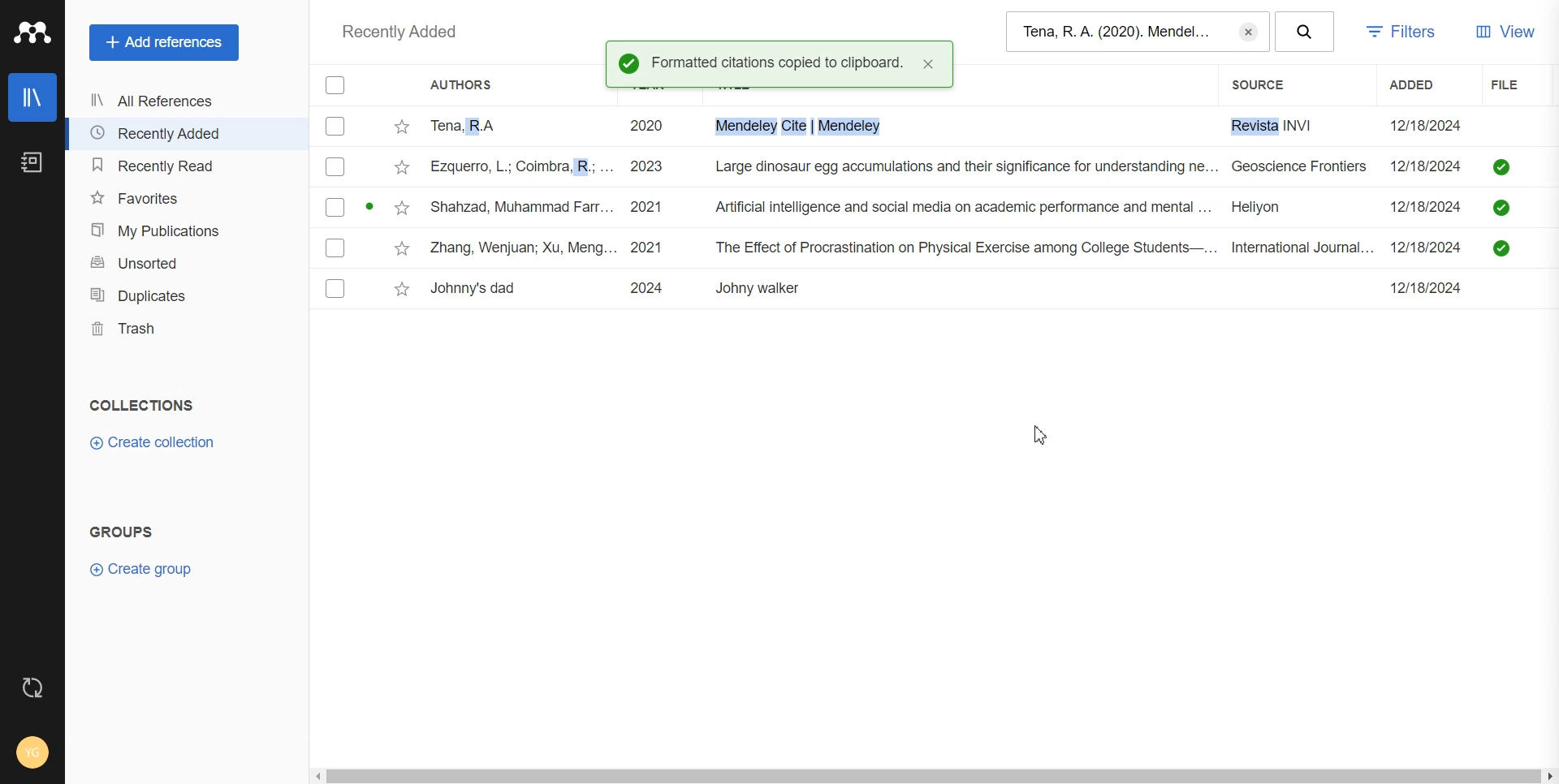 The height and width of the screenshot is (784, 1559). What do you see at coordinates (402, 207) in the screenshot?
I see `Star` at bounding box center [402, 207].